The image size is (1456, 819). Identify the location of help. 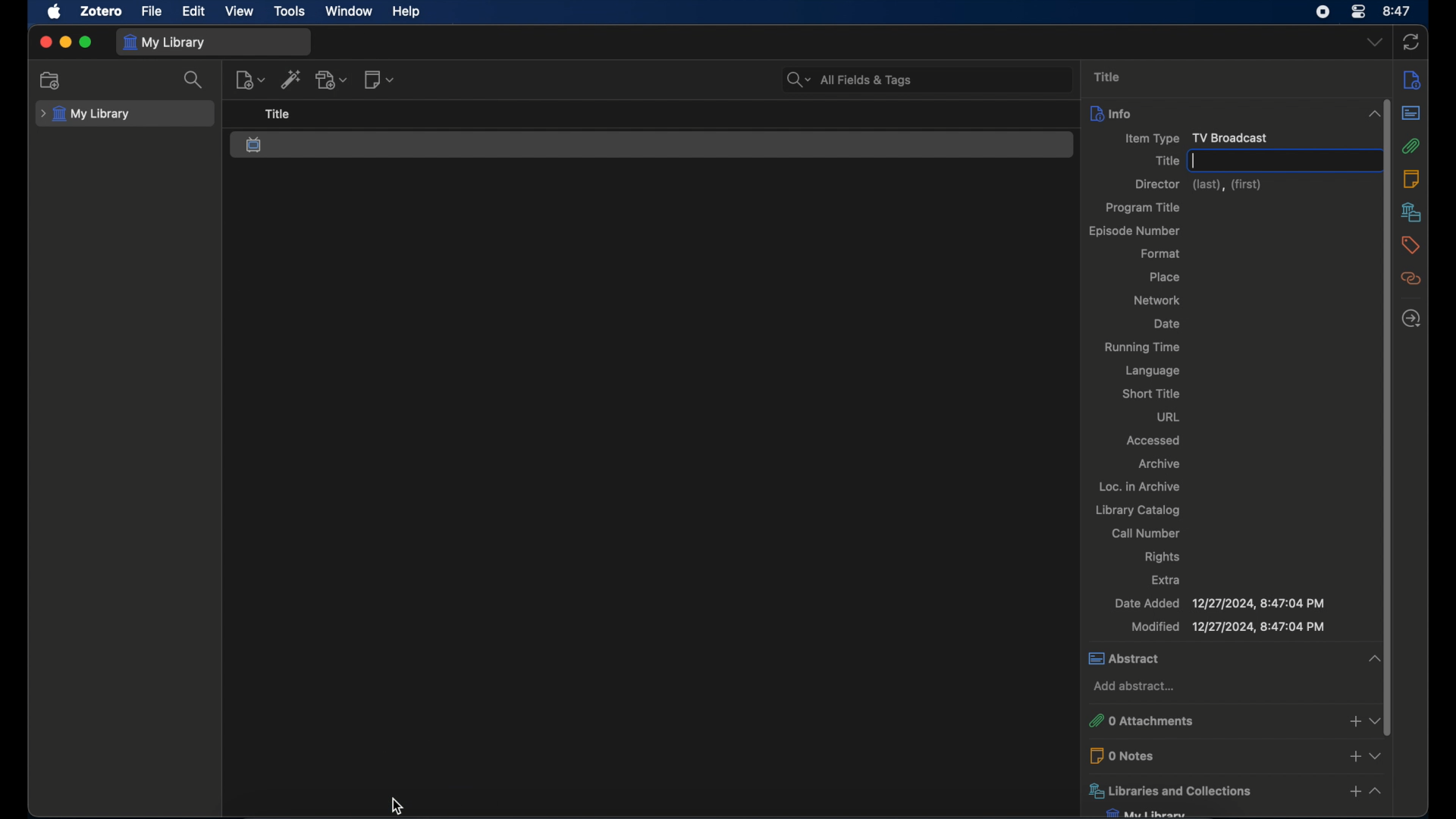
(406, 11).